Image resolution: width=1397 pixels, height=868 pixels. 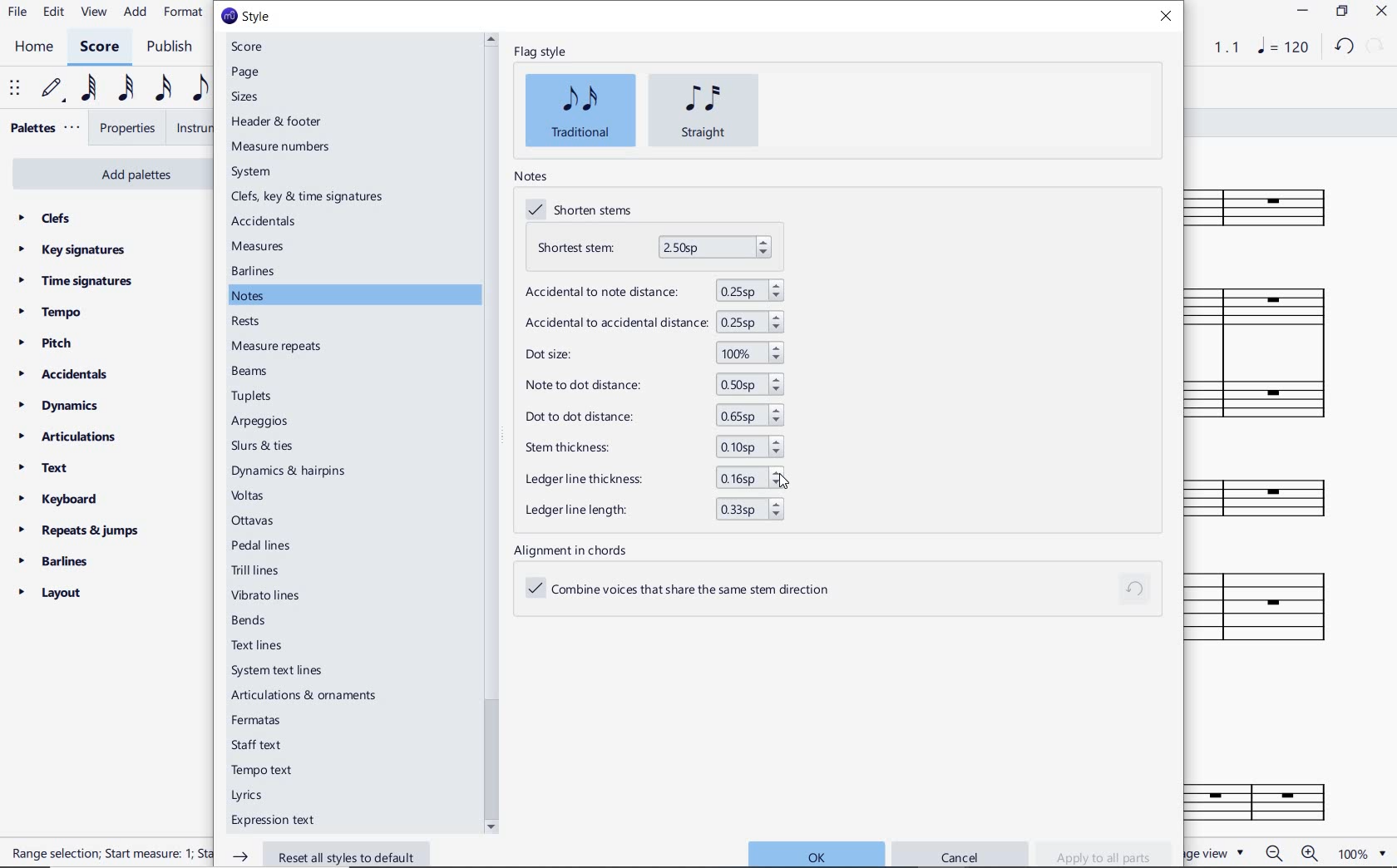 I want to click on style, so click(x=247, y=17).